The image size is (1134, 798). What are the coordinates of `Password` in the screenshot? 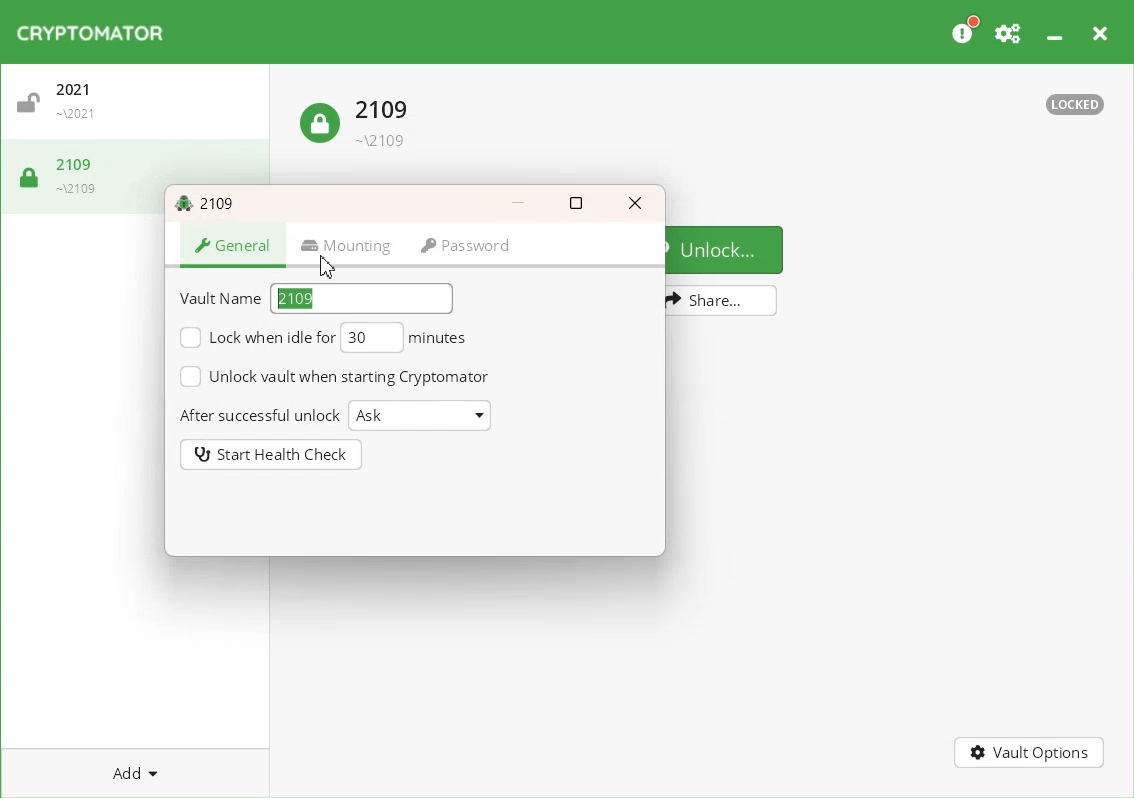 It's located at (463, 246).